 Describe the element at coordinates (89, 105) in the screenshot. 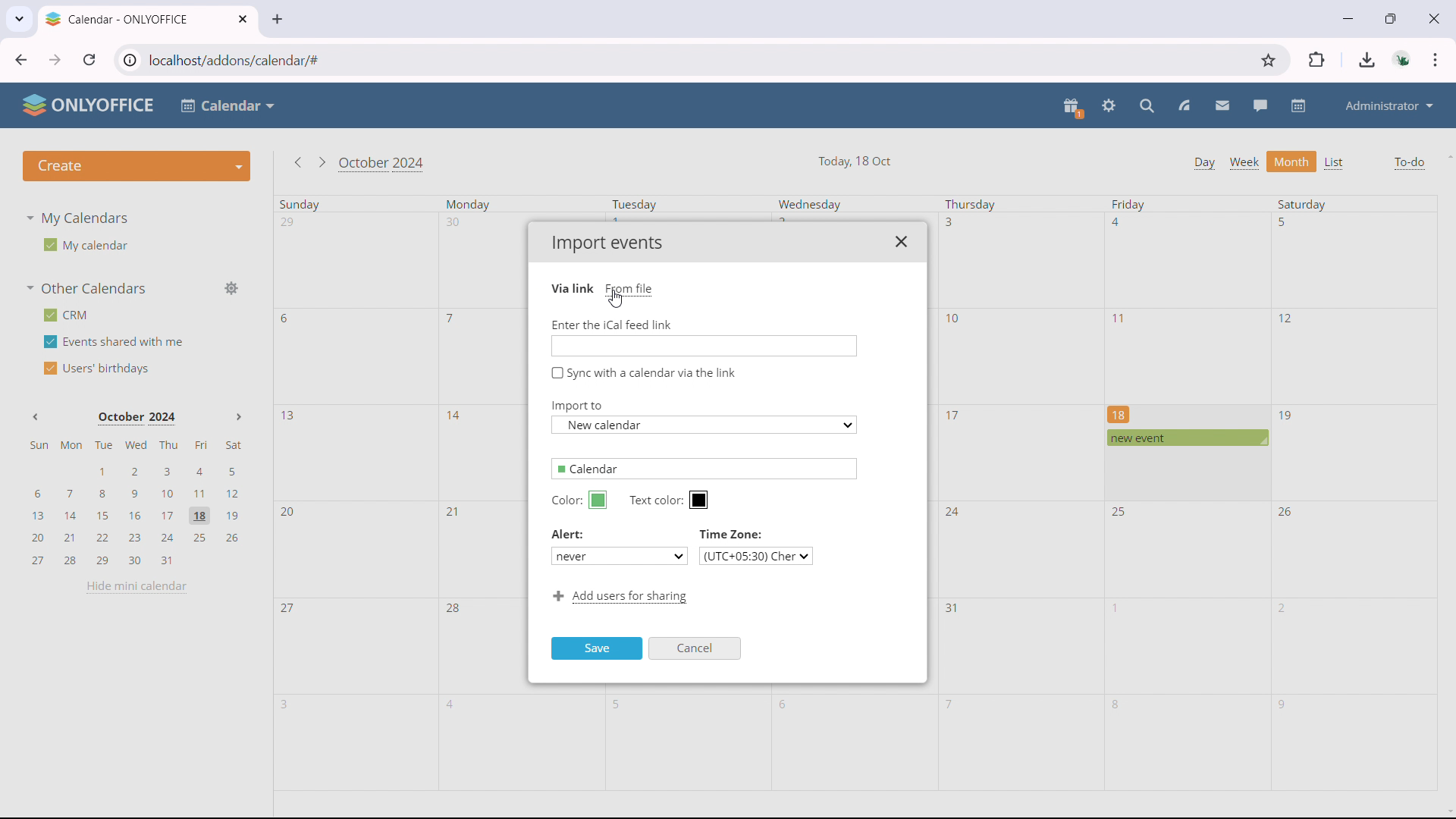

I see `ONLYOFFICE` at that location.